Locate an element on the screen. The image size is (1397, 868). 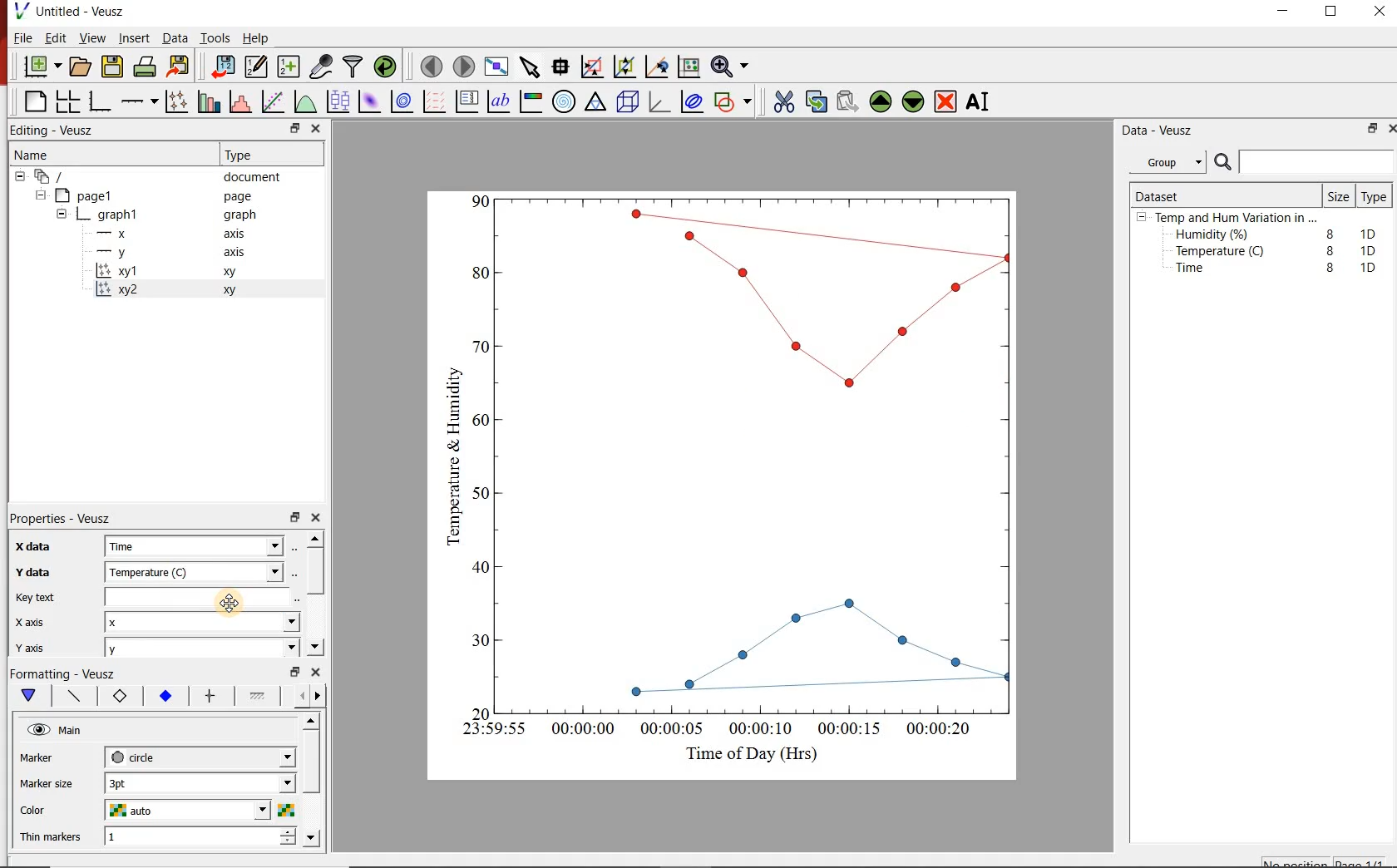
8 is located at coordinates (1327, 249).